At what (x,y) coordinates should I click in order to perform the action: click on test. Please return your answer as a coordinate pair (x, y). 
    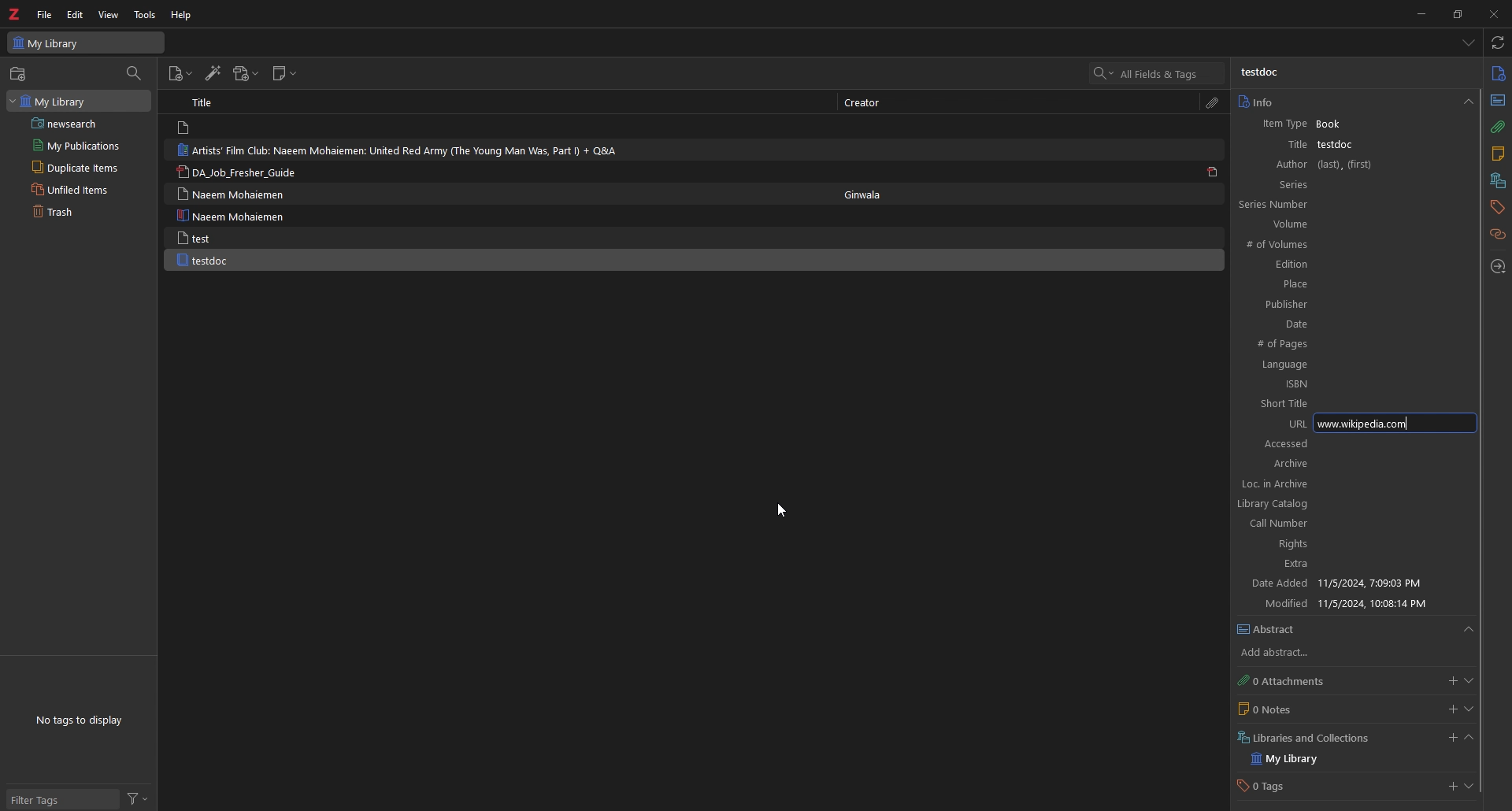
    Looking at the image, I should click on (198, 238).